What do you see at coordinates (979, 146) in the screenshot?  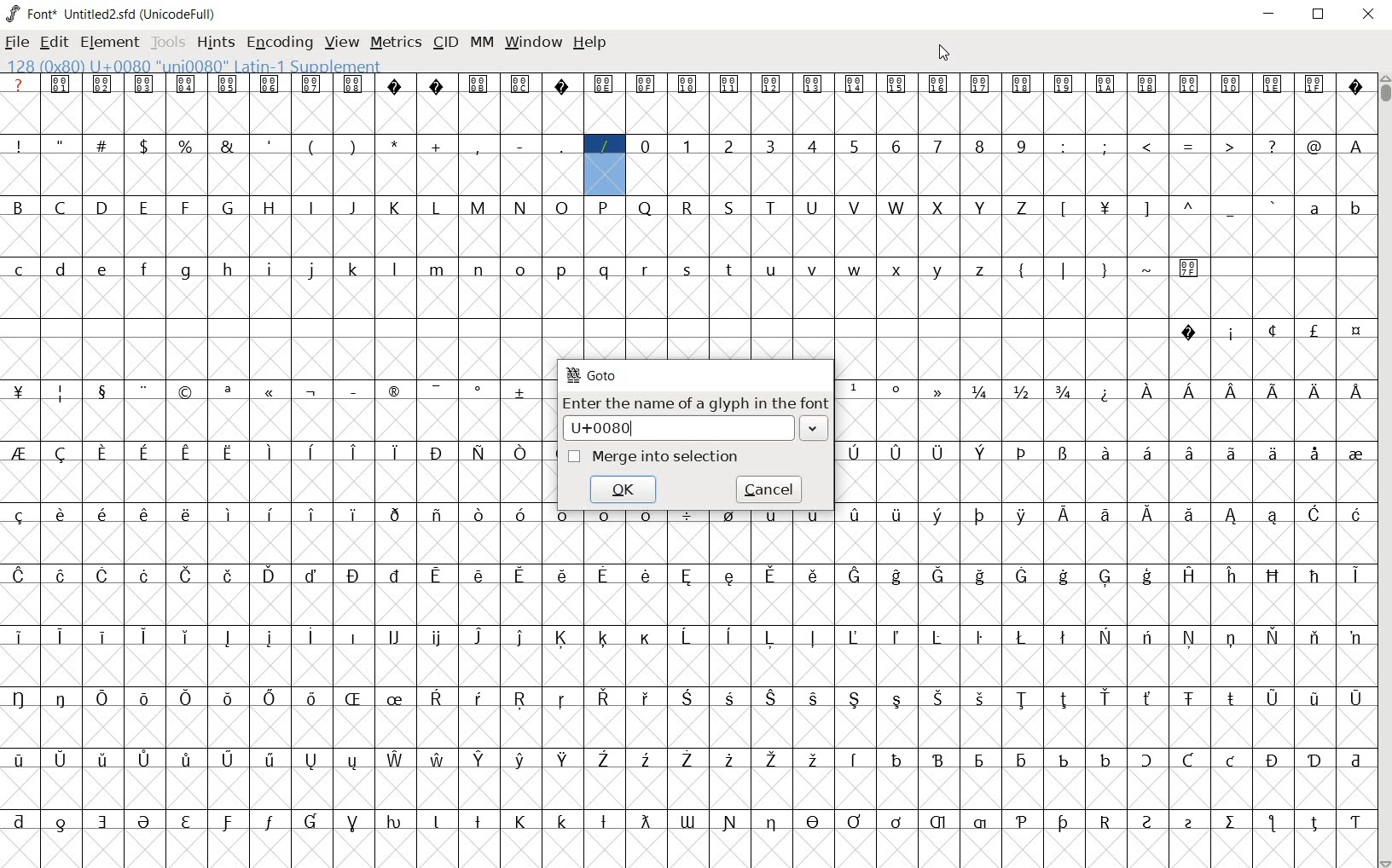 I see `glyph` at bounding box center [979, 146].